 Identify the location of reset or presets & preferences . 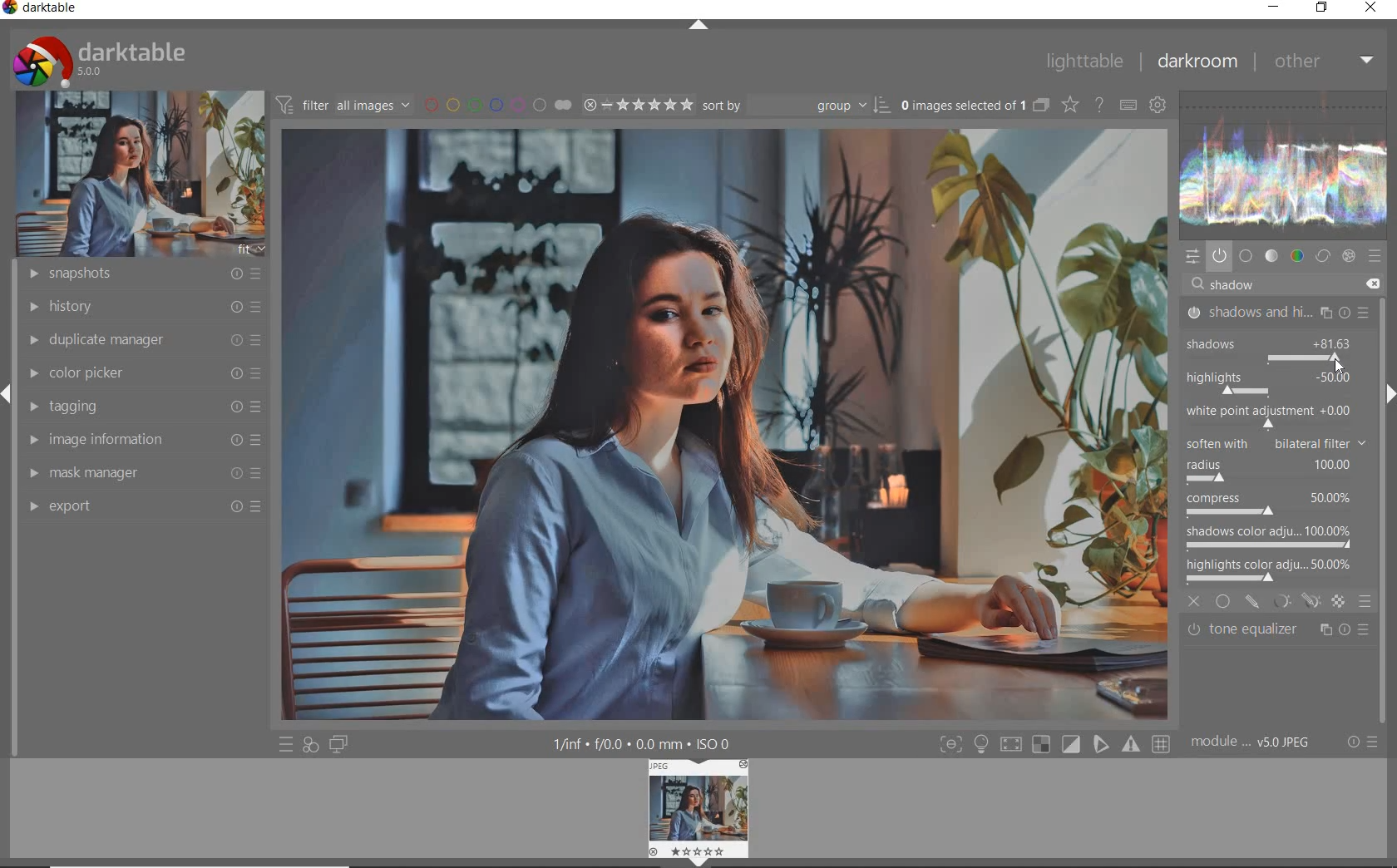
(1361, 742).